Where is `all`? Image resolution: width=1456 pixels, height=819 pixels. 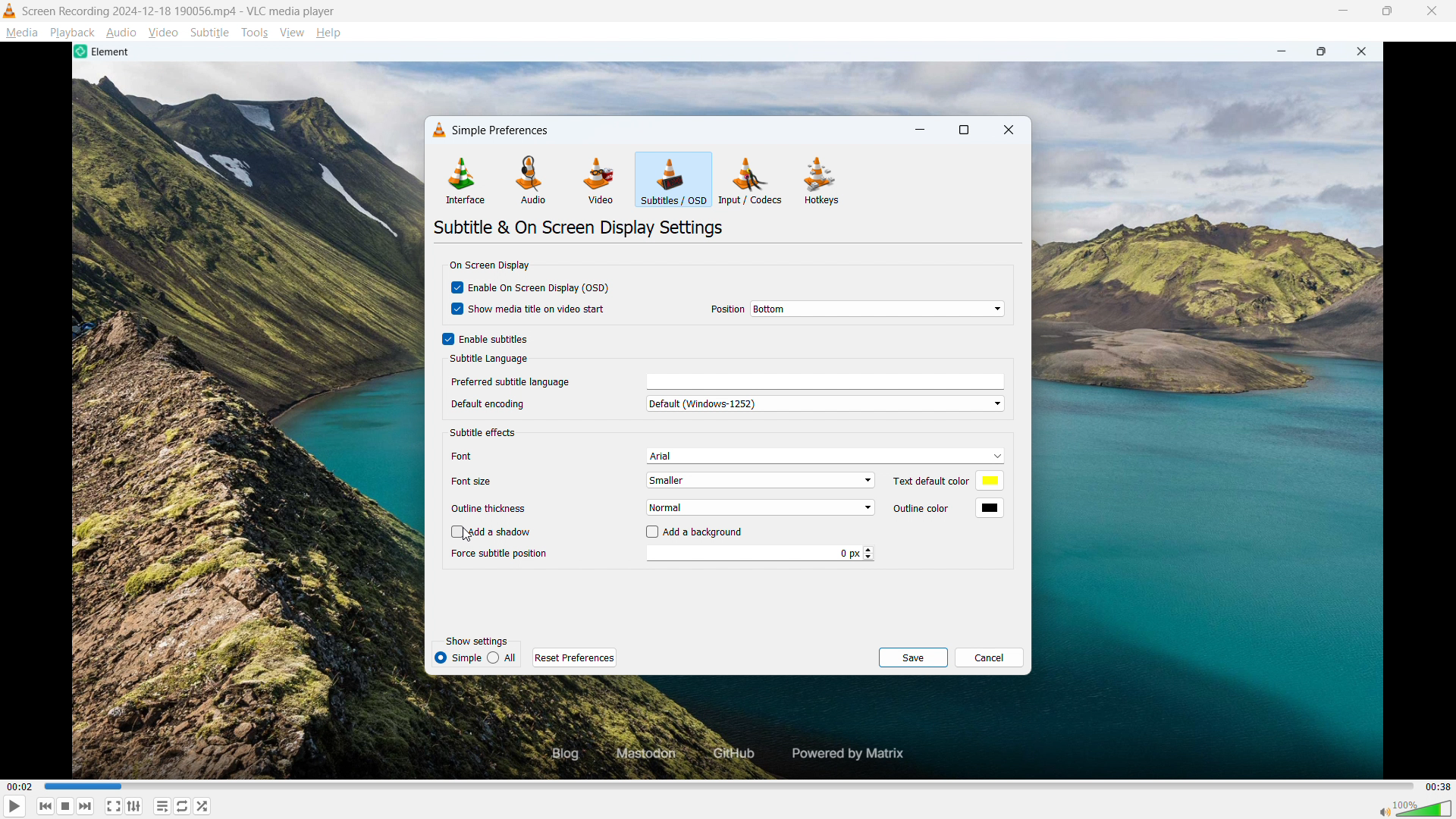 all is located at coordinates (504, 657).